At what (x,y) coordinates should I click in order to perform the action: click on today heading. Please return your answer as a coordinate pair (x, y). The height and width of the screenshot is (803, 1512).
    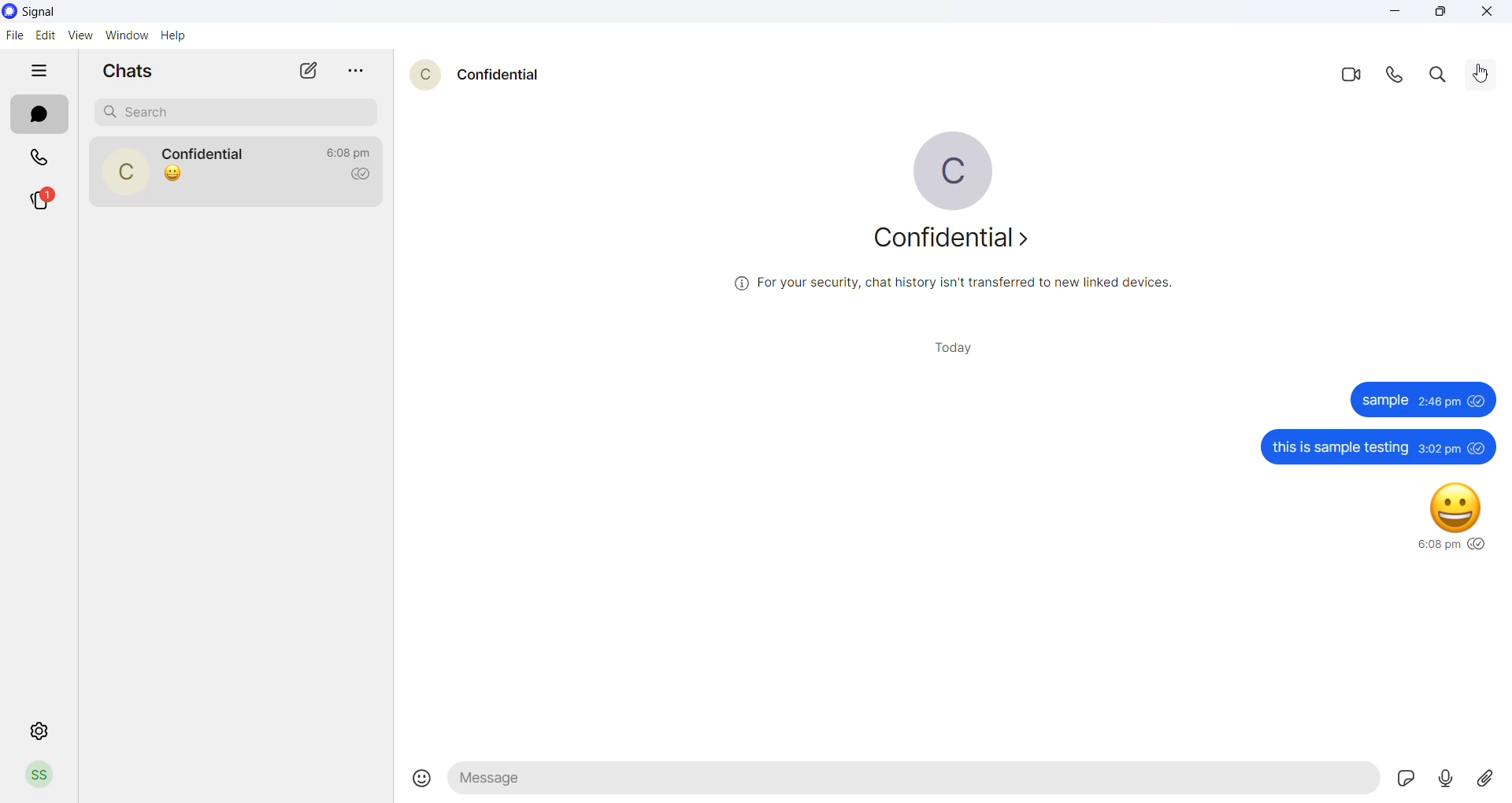
    Looking at the image, I should click on (943, 350).